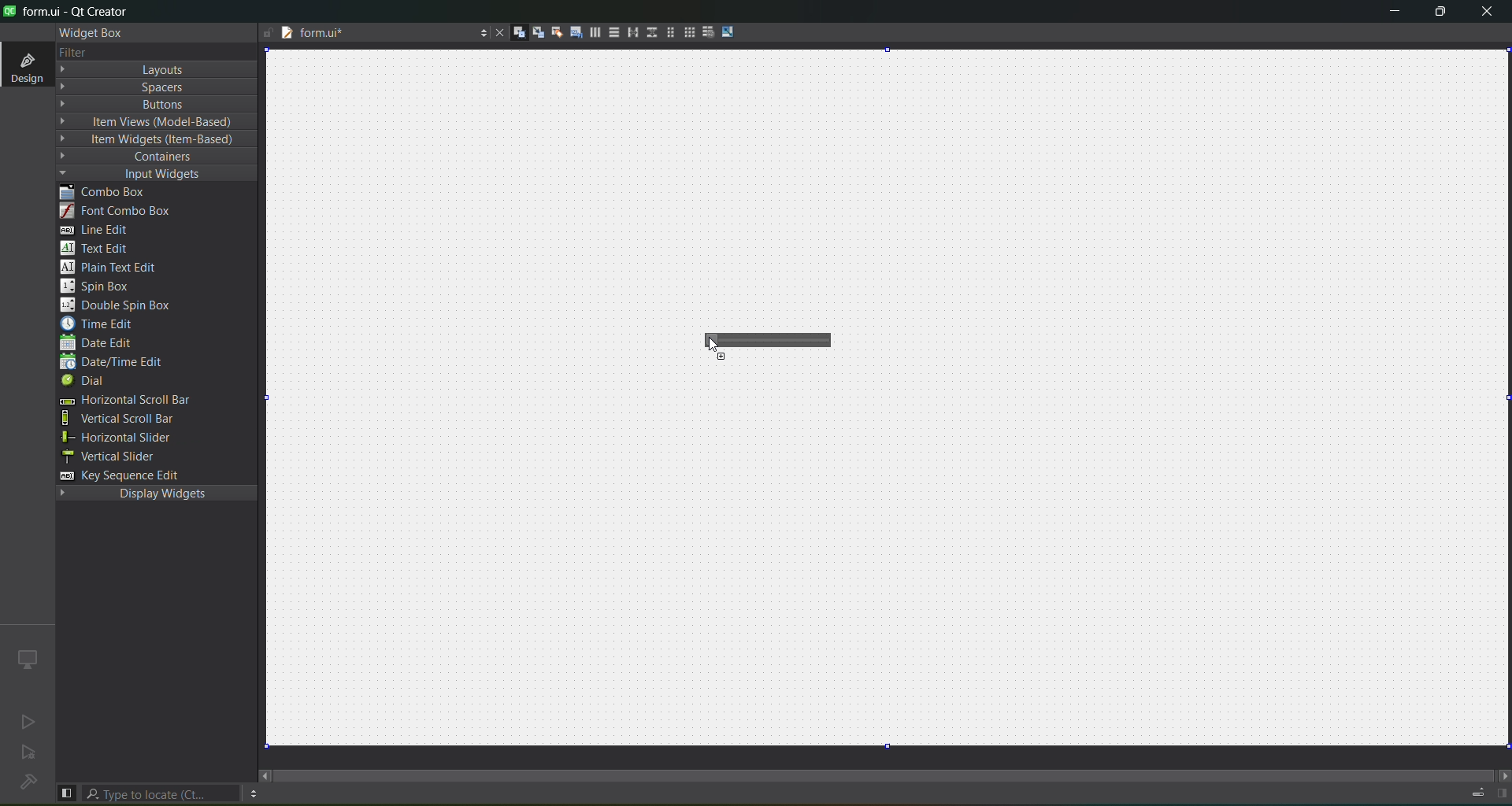 This screenshot has height=806, width=1512. Describe the element at coordinates (1503, 790) in the screenshot. I see `show right panel` at that location.